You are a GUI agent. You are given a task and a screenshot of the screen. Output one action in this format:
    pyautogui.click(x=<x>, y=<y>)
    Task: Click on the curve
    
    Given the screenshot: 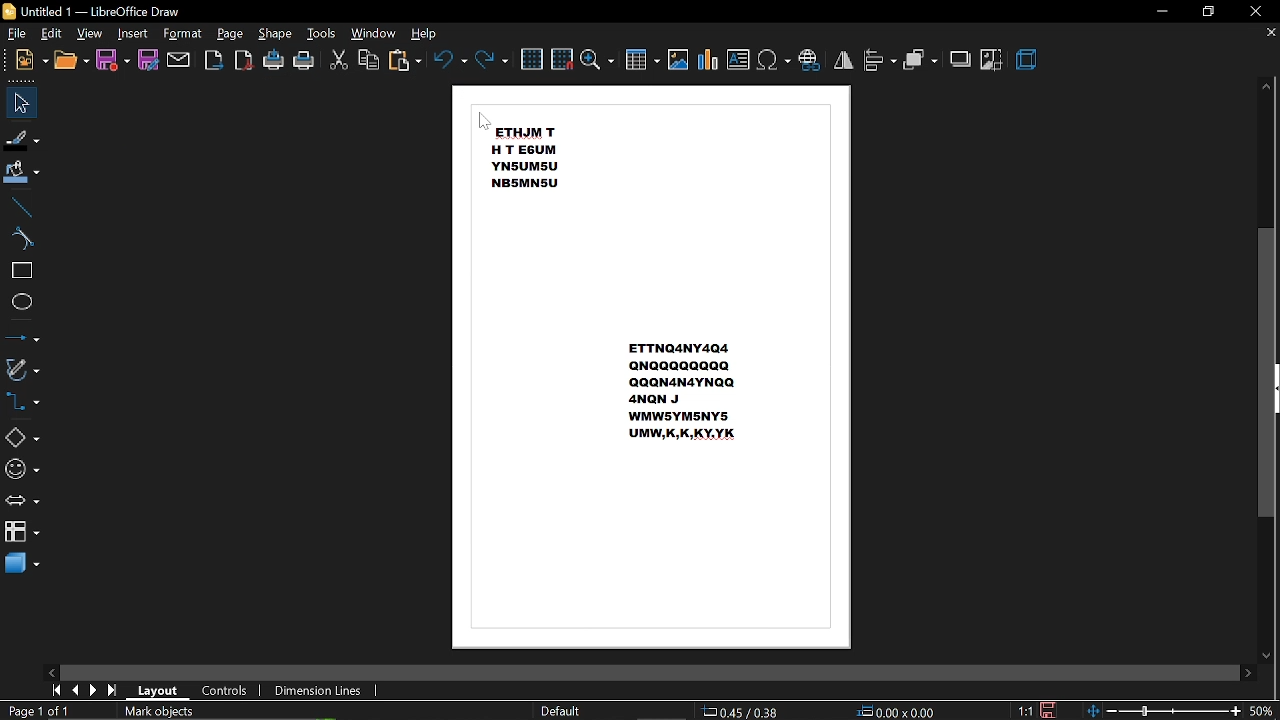 What is the action you would take?
    pyautogui.click(x=21, y=238)
    